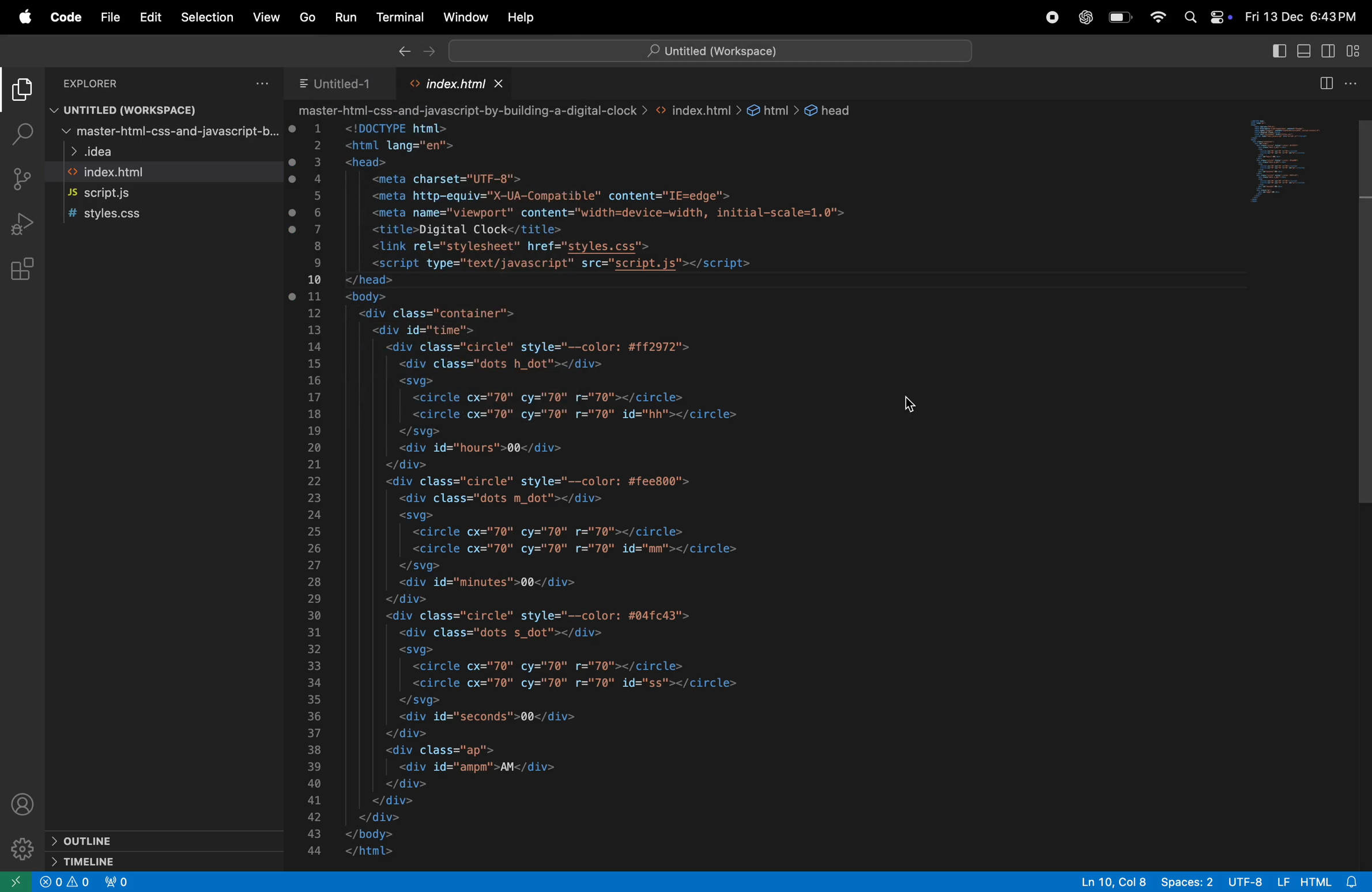  I want to click on date and time, so click(1301, 16).